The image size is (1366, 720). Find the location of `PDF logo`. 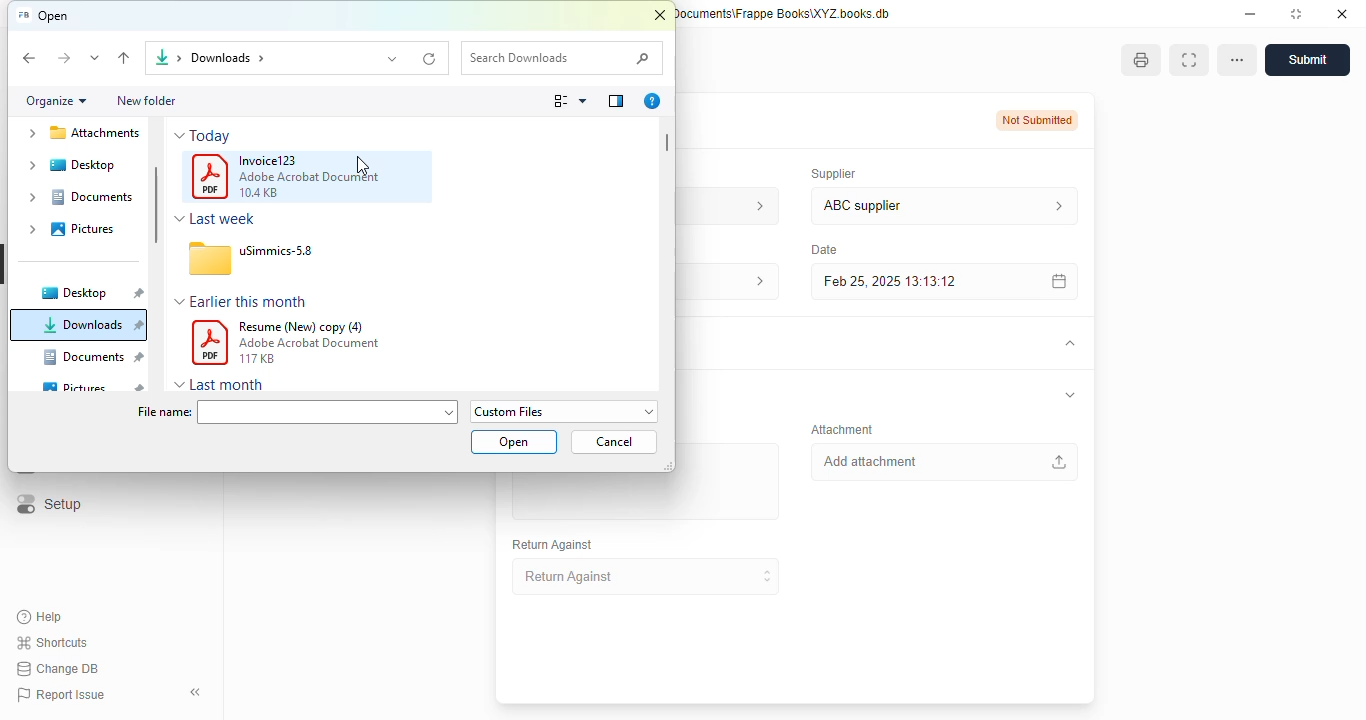

PDF logo is located at coordinates (210, 176).